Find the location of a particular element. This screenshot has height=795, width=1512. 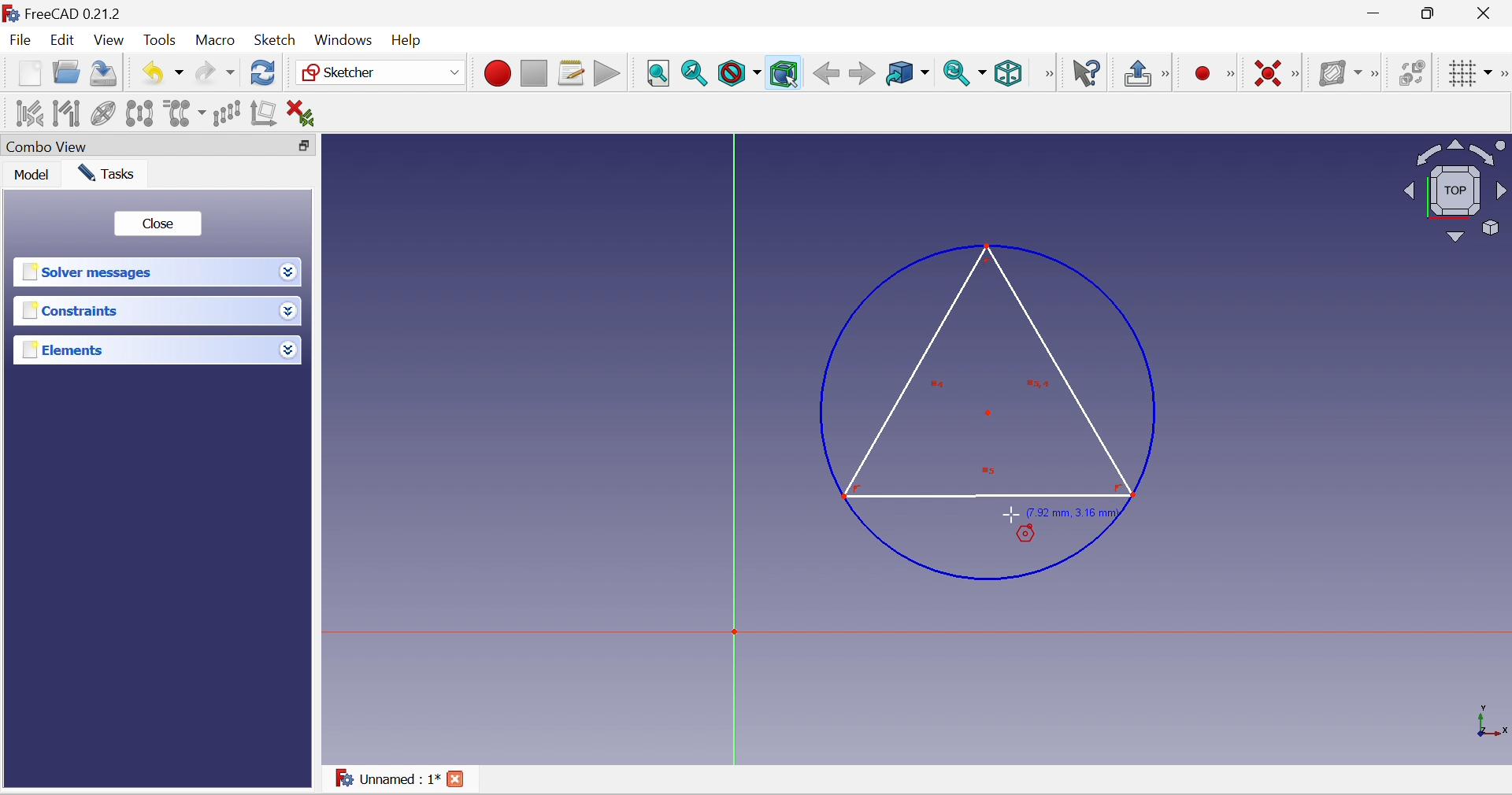

Minimize is located at coordinates (1373, 13).